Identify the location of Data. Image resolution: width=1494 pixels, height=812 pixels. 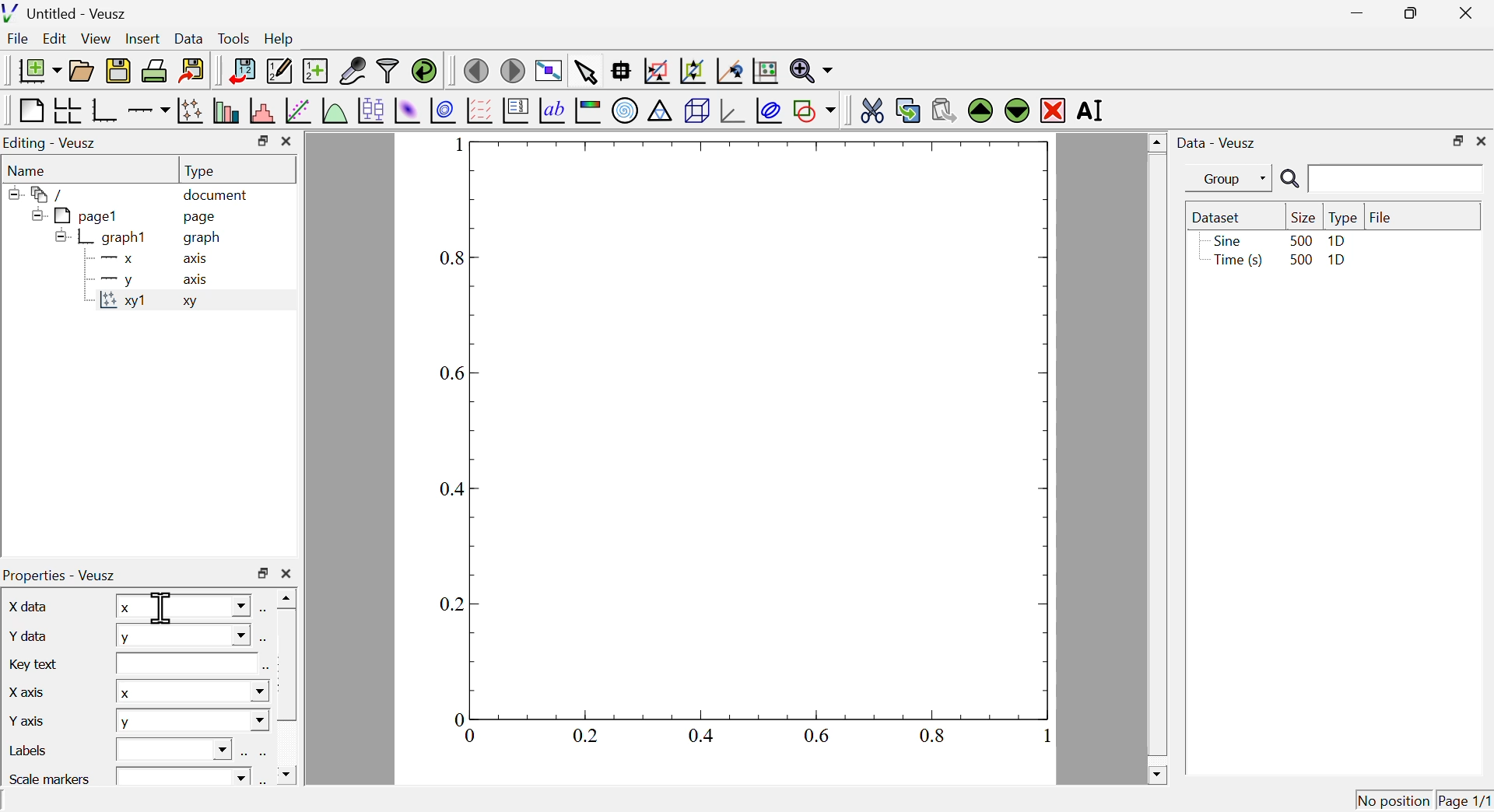
(189, 37).